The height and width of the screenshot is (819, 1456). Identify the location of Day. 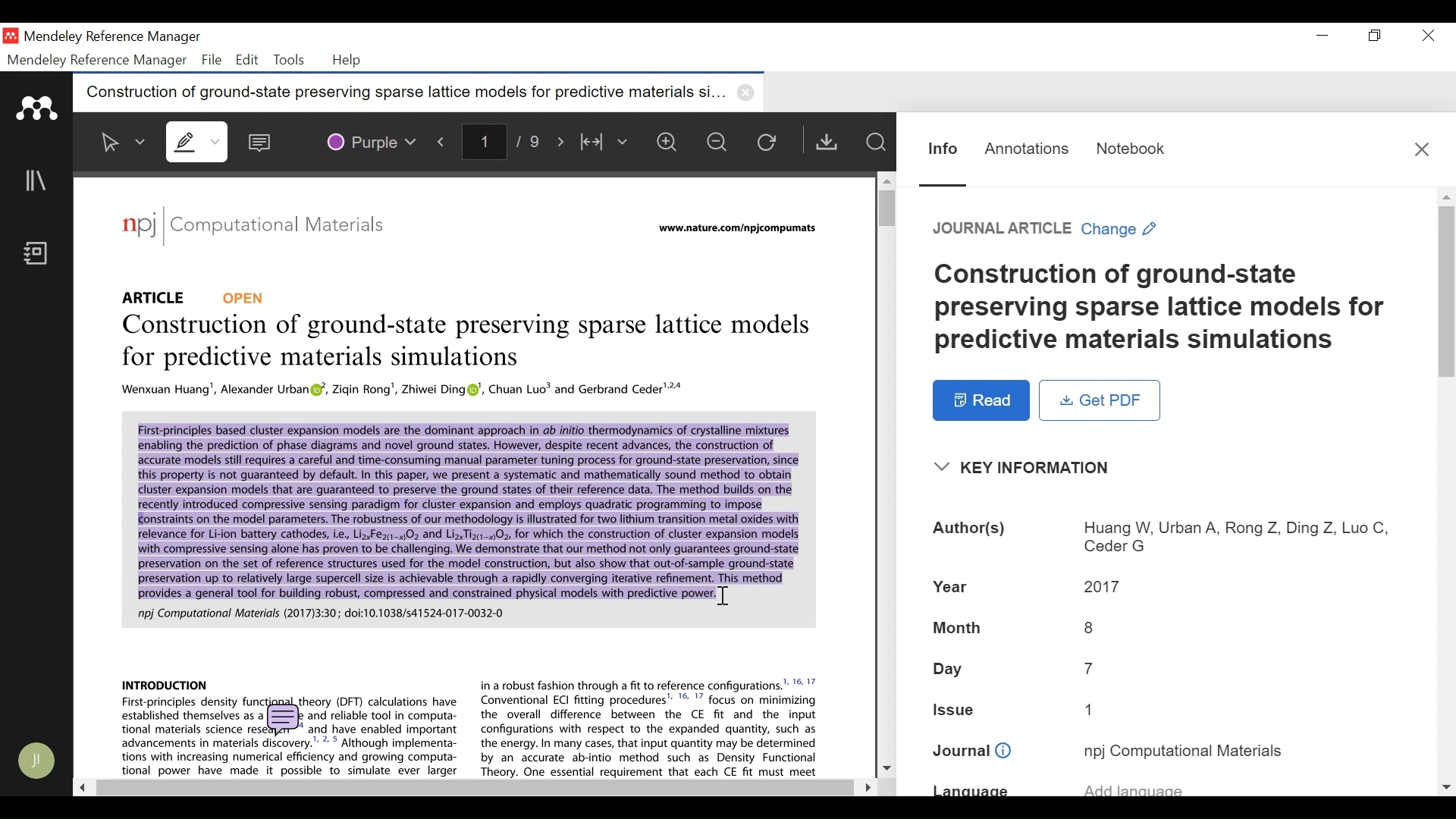
(950, 670).